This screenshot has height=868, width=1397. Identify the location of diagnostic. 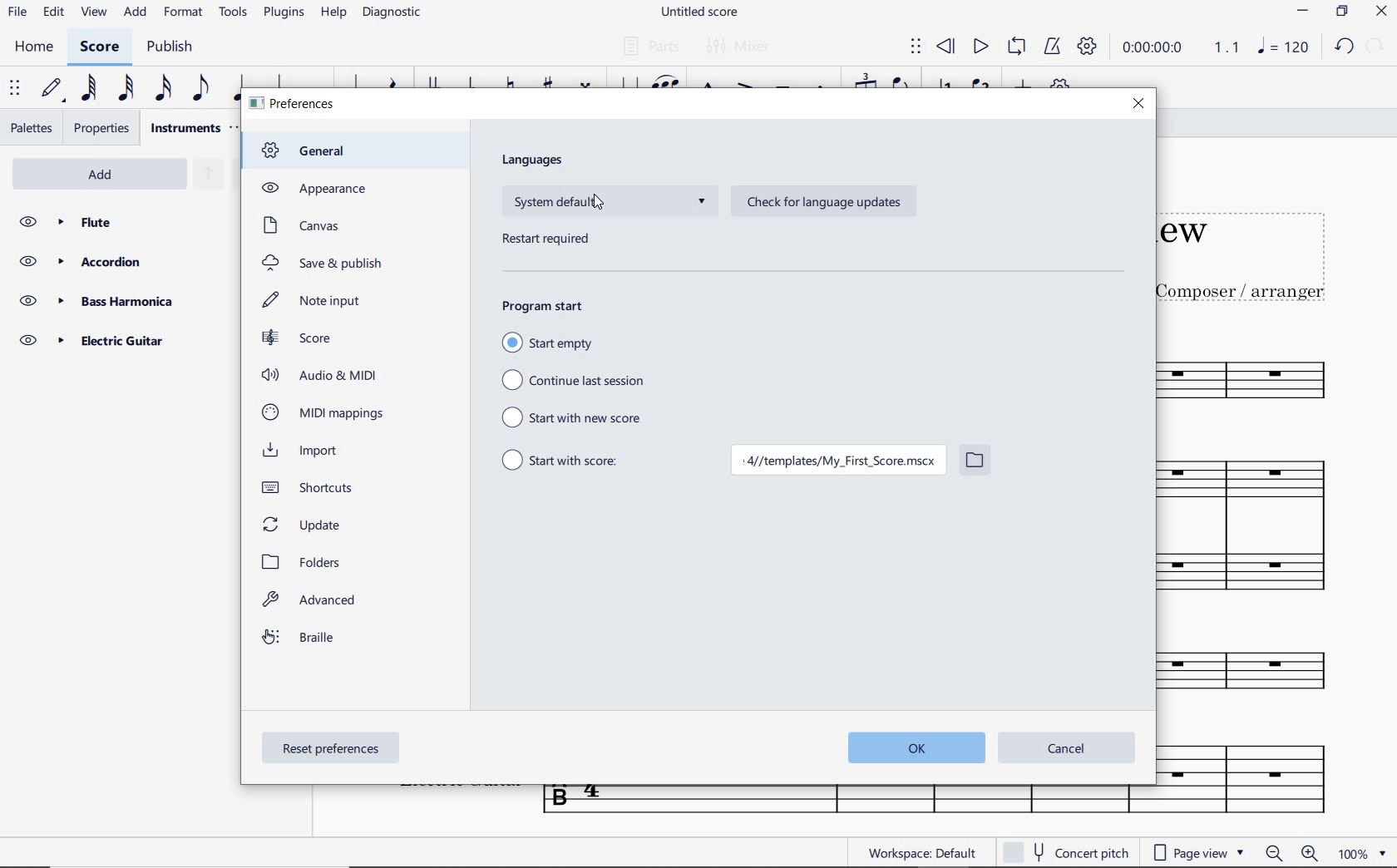
(396, 15).